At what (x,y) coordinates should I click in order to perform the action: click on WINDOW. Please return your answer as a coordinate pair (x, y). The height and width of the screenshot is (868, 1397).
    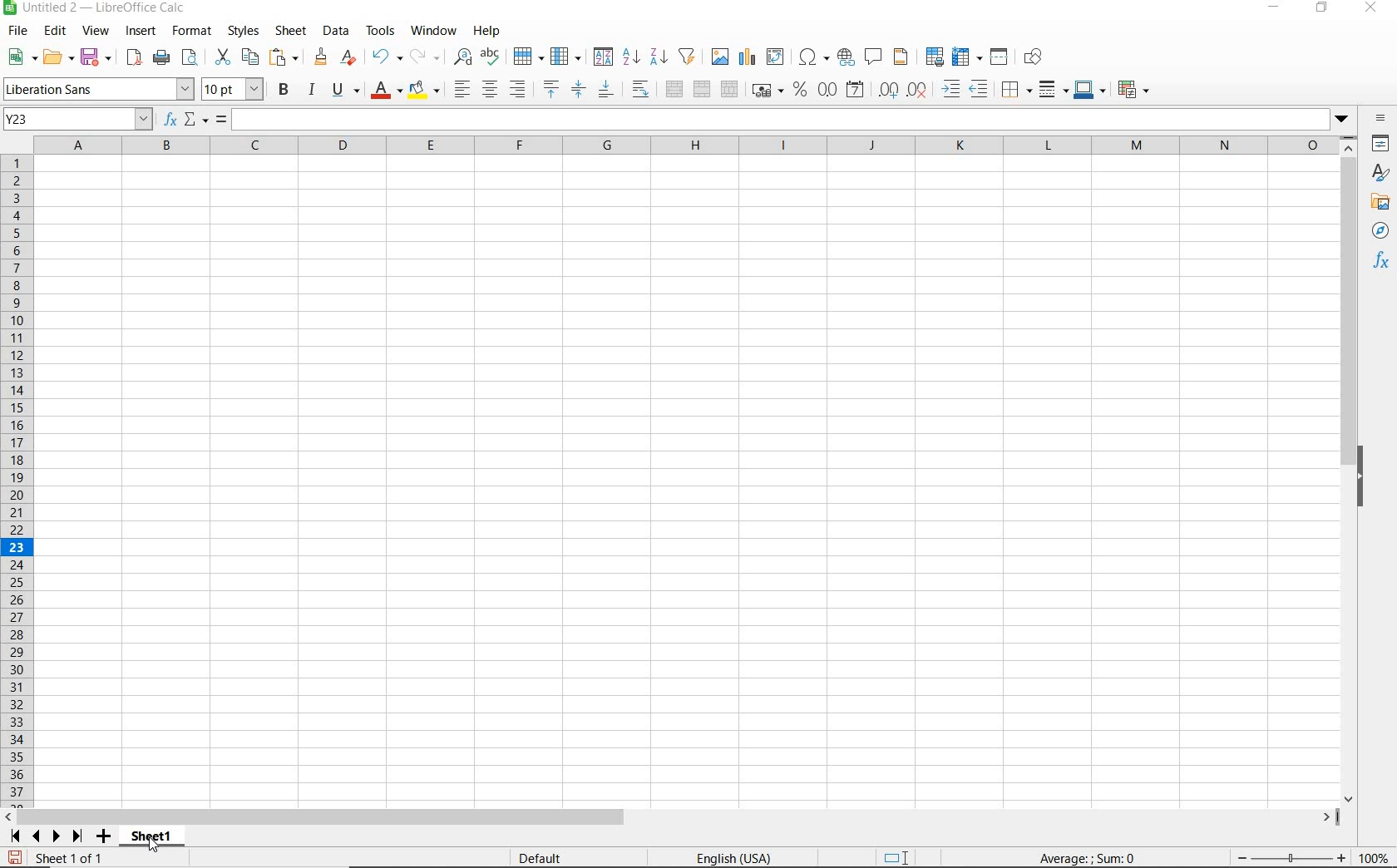
    Looking at the image, I should click on (433, 31).